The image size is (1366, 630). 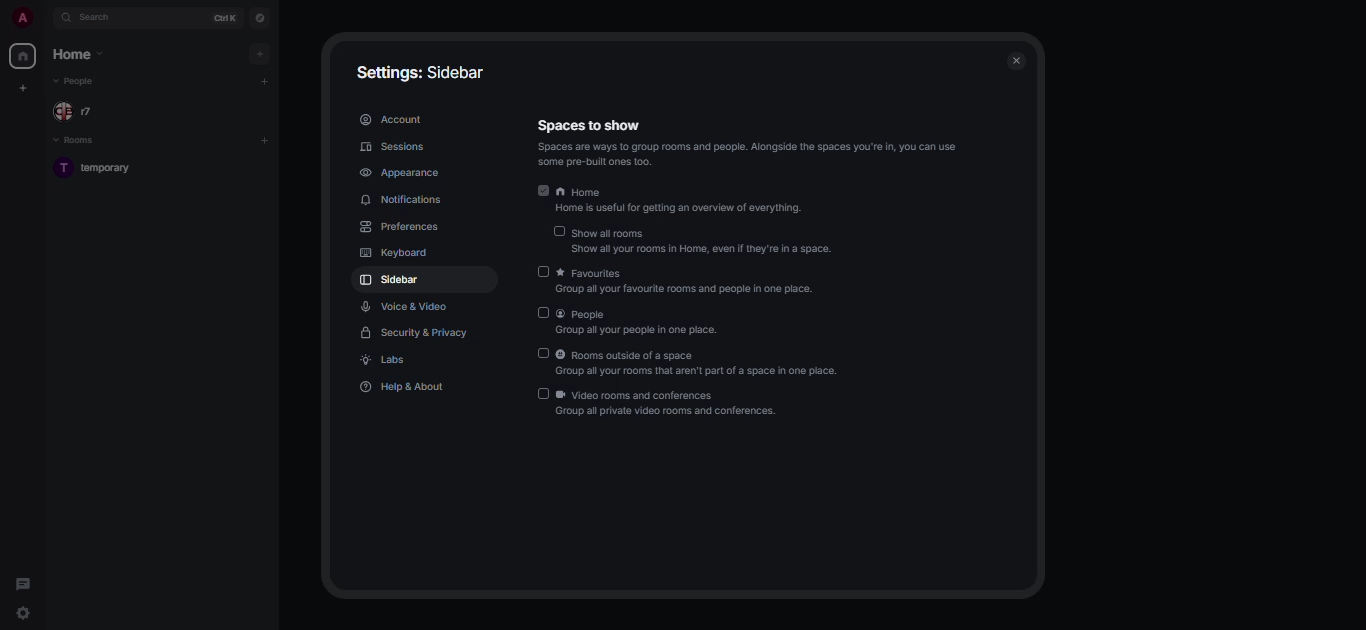 I want to click on sessions, so click(x=393, y=147).